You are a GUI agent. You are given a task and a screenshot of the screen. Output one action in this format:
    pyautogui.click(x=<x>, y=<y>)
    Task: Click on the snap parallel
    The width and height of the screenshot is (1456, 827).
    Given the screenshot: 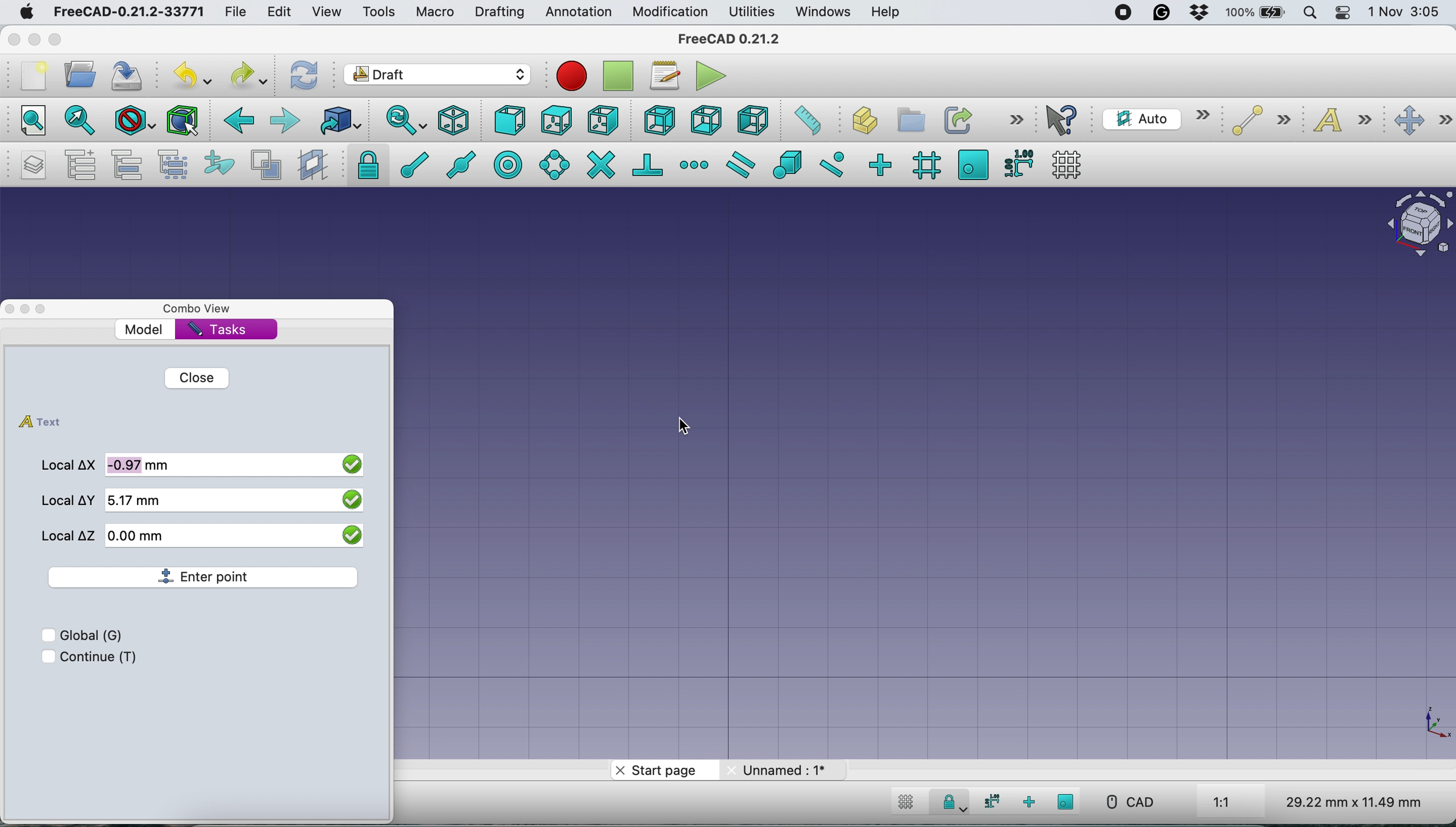 What is the action you would take?
    pyautogui.click(x=738, y=163)
    